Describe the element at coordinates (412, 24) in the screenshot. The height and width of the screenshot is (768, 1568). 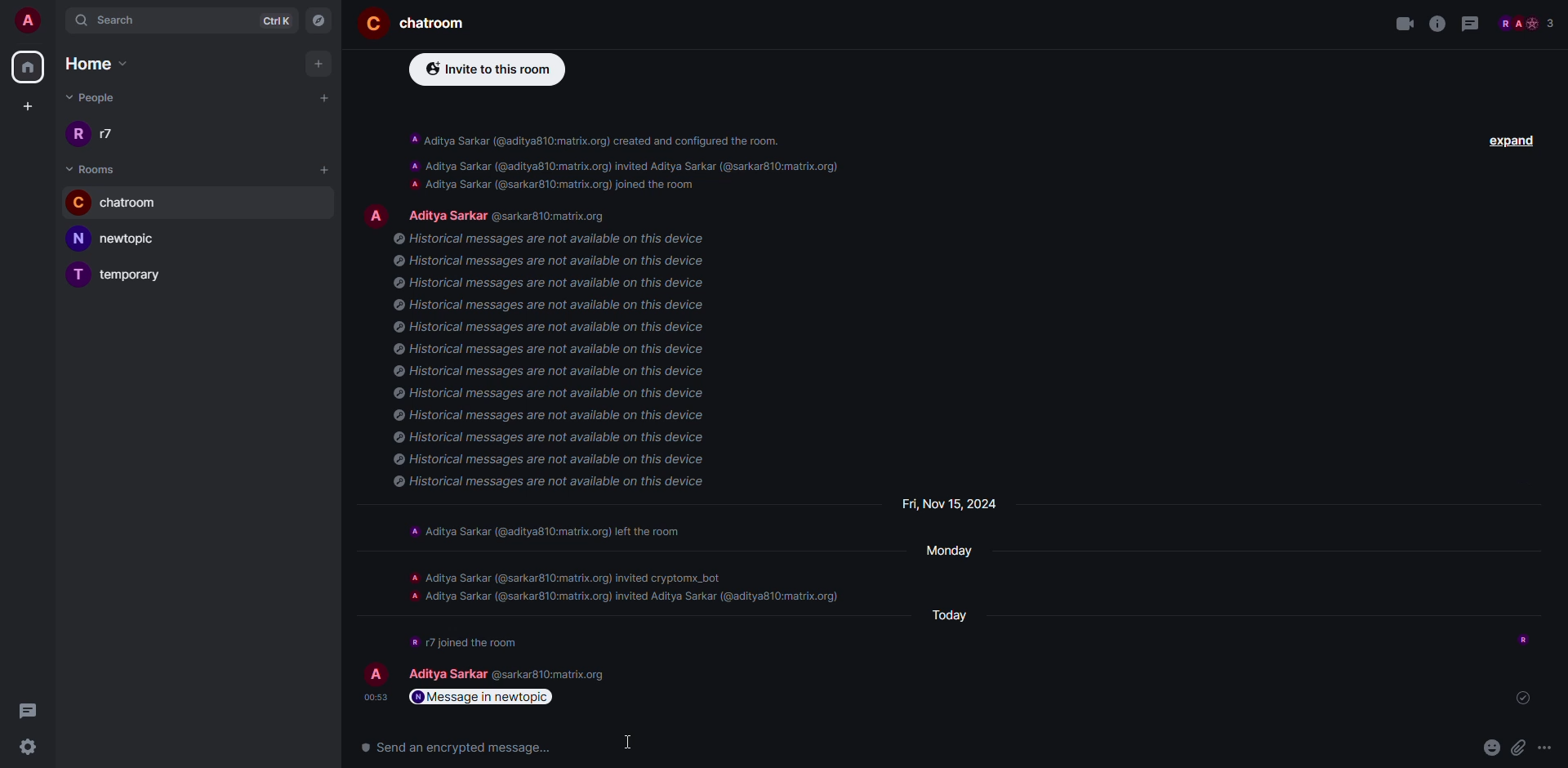
I see `Chatroom` at that location.